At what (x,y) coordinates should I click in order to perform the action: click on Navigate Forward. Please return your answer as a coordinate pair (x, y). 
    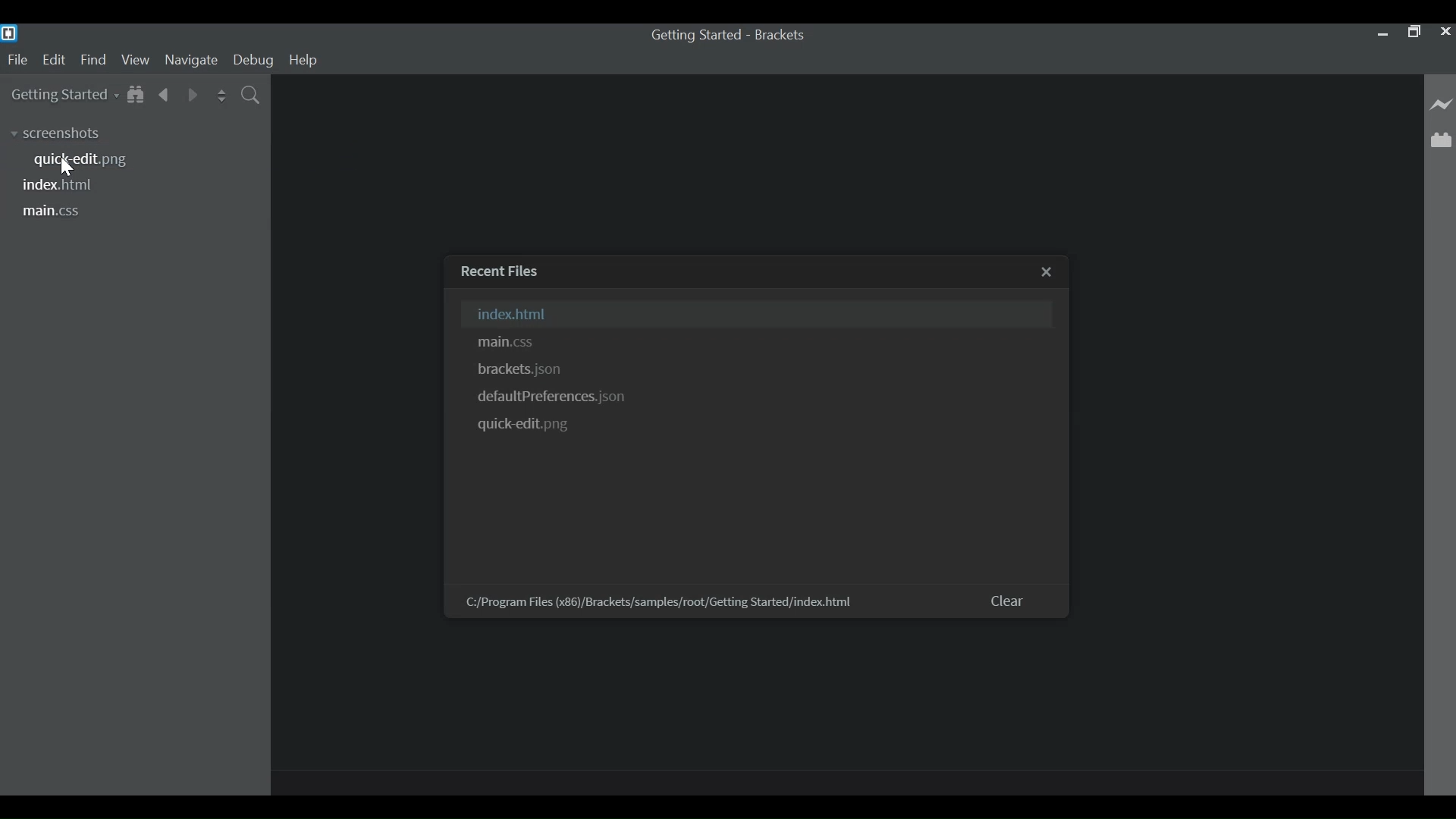
    Looking at the image, I should click on (193, 93).